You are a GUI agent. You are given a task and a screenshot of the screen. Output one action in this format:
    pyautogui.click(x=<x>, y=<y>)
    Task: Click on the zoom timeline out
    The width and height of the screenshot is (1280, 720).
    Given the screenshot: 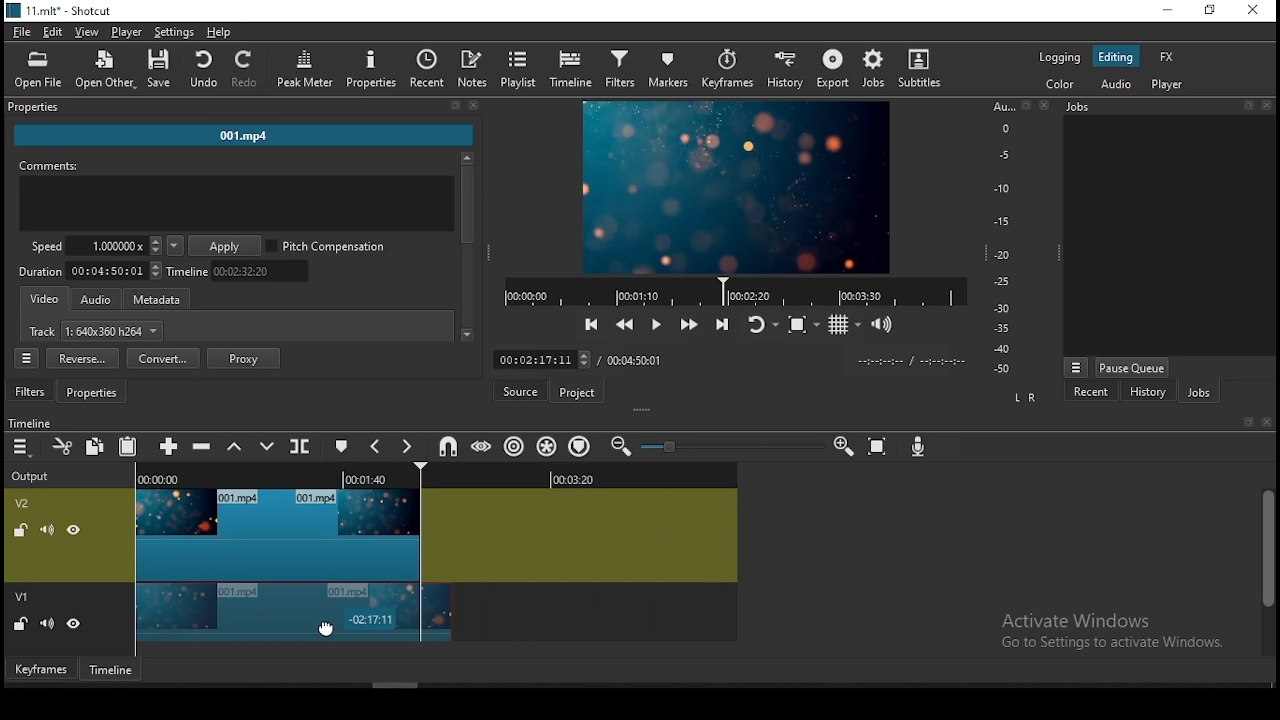 What is the action you would take?
    pyautogui.click(x=620, y=446)
    